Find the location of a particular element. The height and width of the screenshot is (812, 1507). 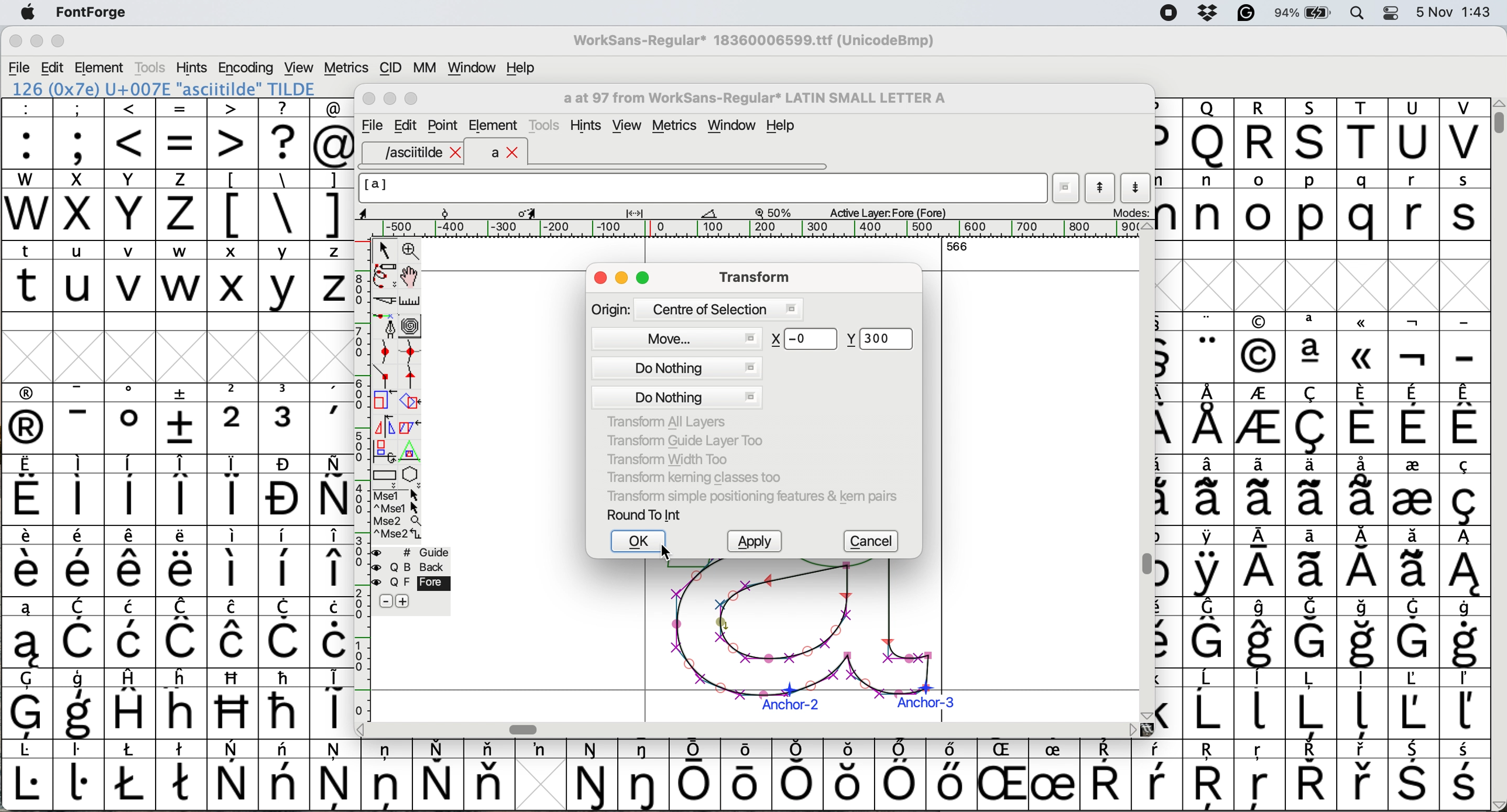

add a curve point vertically or horizontally is located at coordinates (414, 352).